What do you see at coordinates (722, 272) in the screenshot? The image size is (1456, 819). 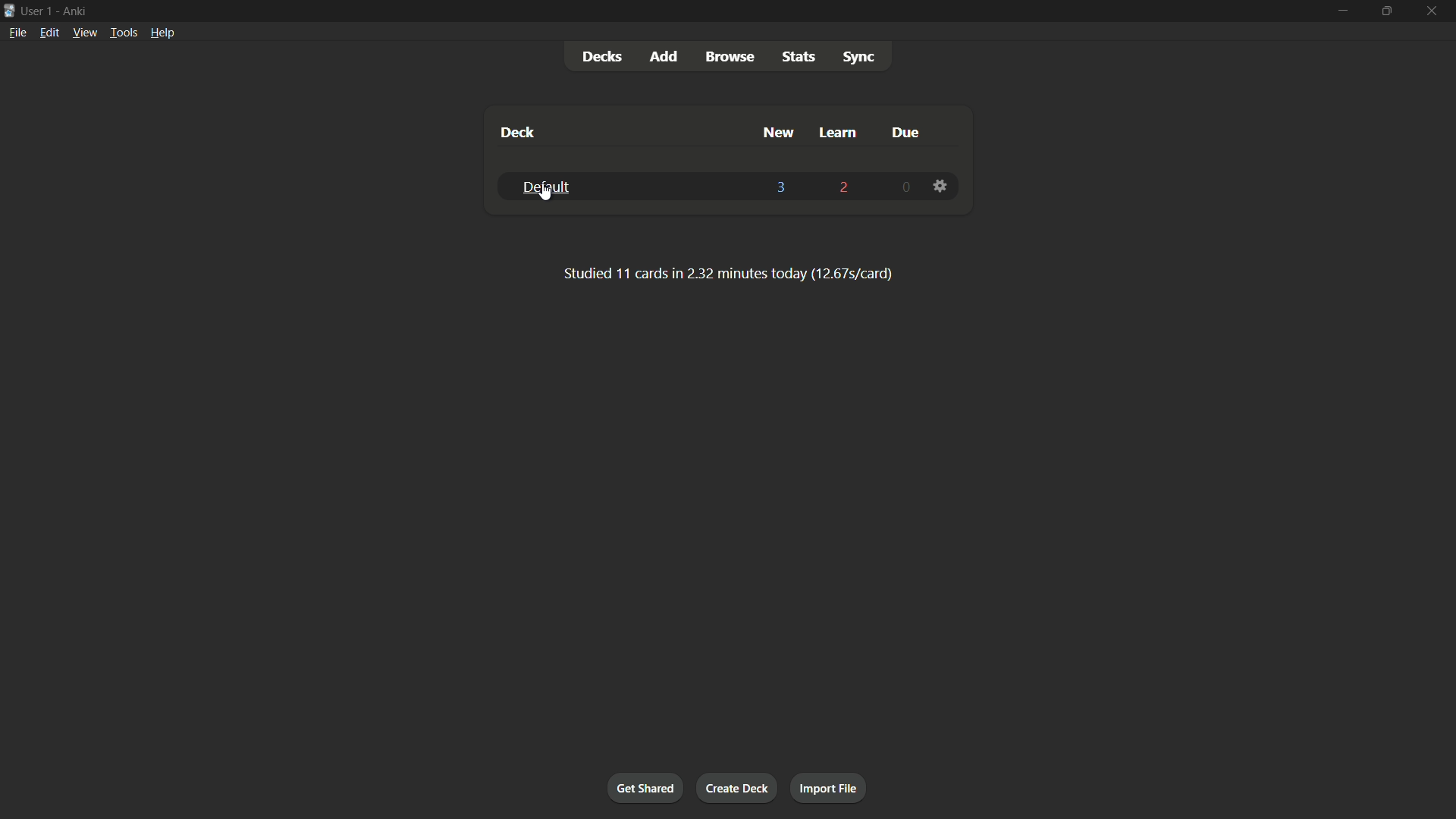 I see `text` at bounding box center [722, 272].